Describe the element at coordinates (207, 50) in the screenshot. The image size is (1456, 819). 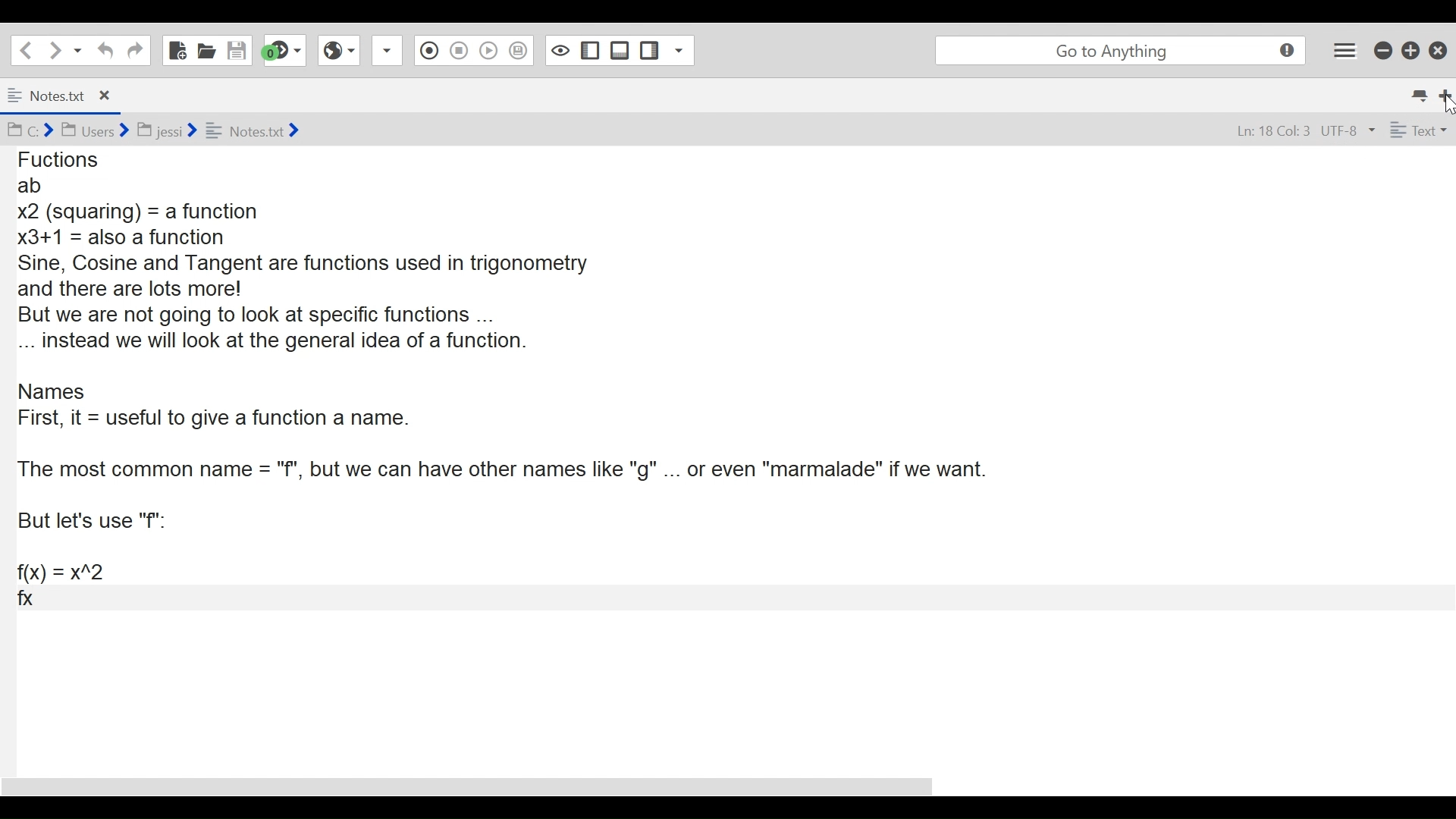
I see `Open` at that location.